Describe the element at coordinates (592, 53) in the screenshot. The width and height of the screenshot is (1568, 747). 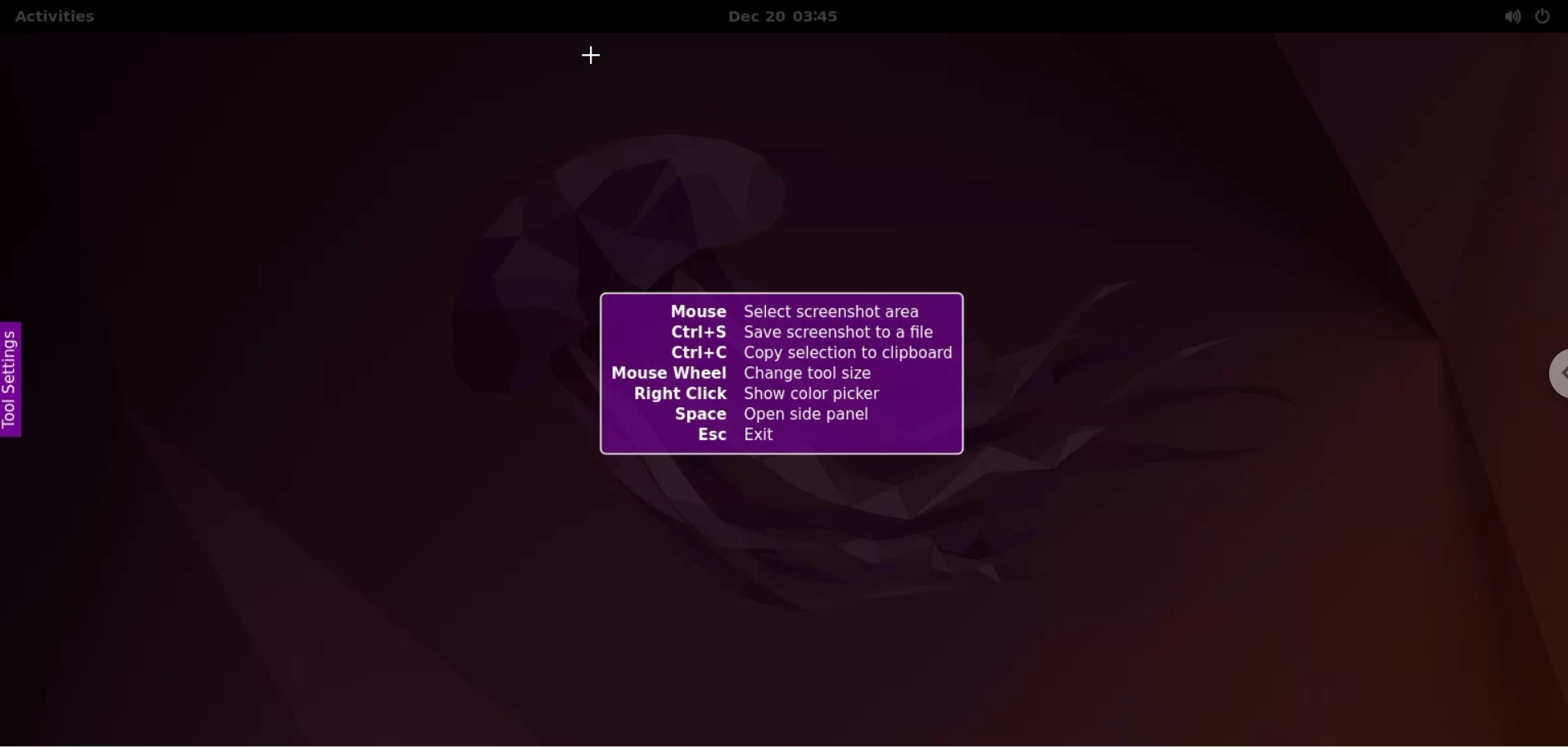
I see `cursor` at that location.